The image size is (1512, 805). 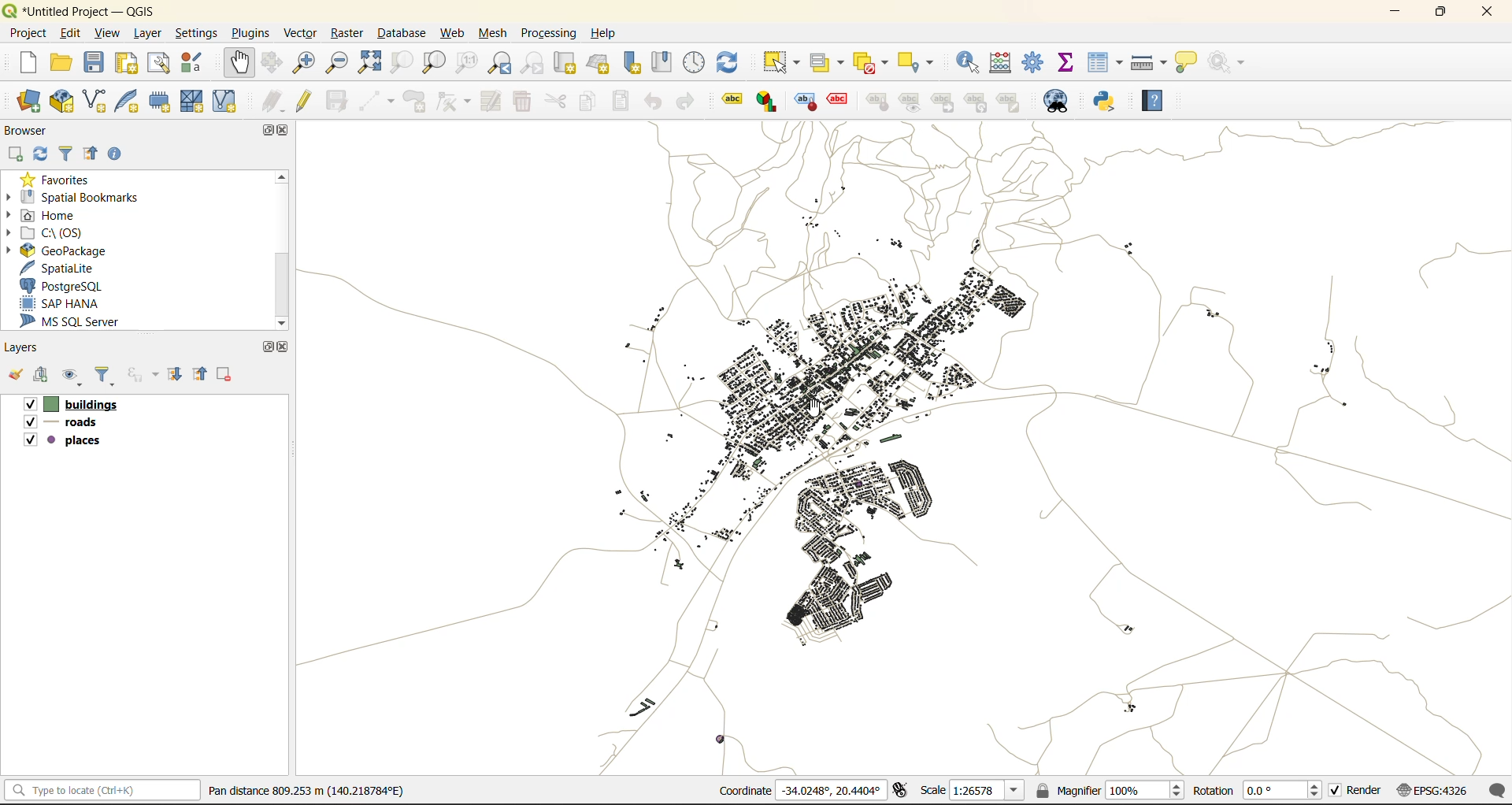 What do you see at coordinates (20, 61) in the screenshot?
I see `new` at bounding box center [20, 61].